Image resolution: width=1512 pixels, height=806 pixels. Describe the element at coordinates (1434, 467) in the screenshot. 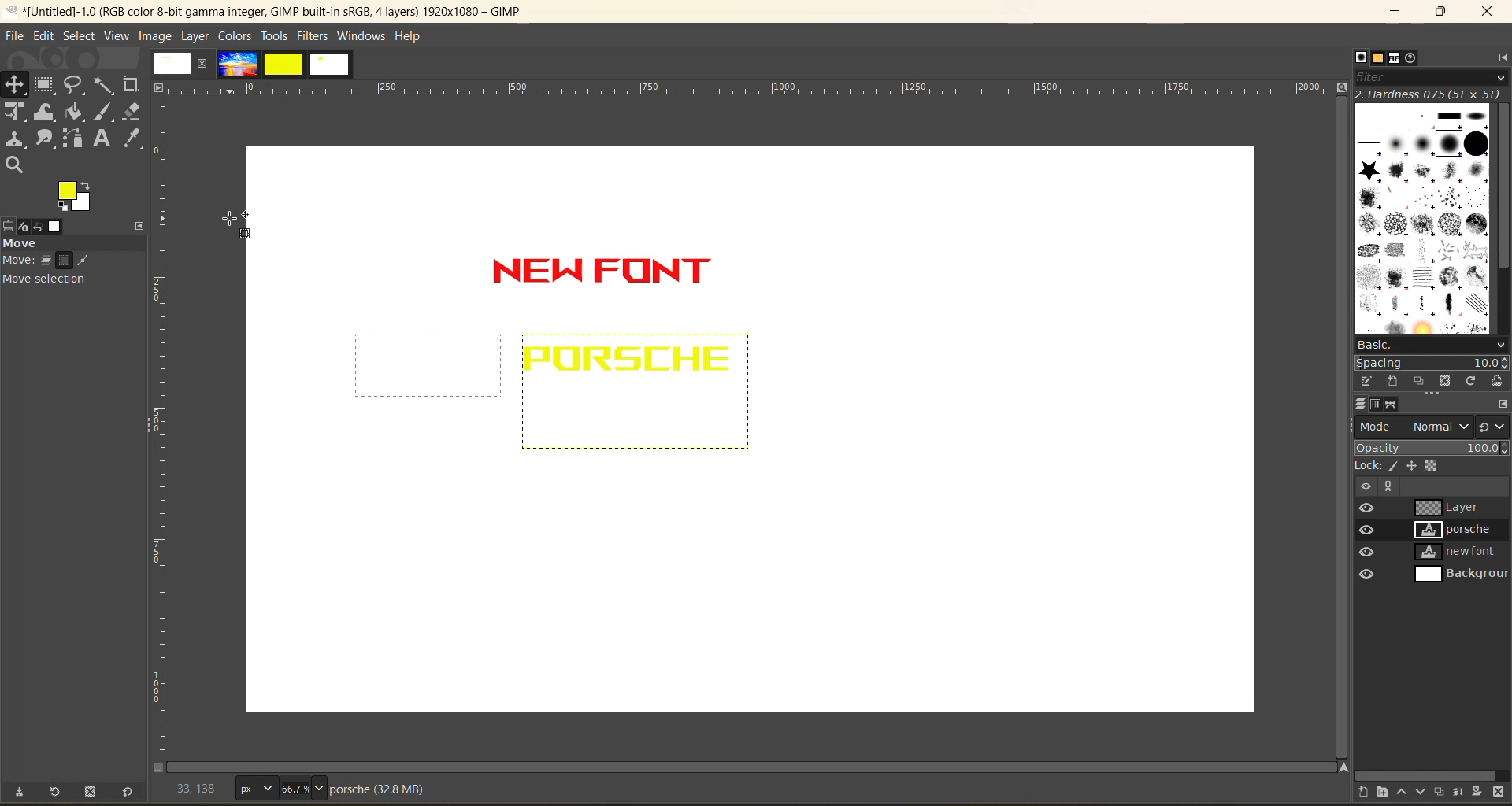

I see `alpha` at that location.